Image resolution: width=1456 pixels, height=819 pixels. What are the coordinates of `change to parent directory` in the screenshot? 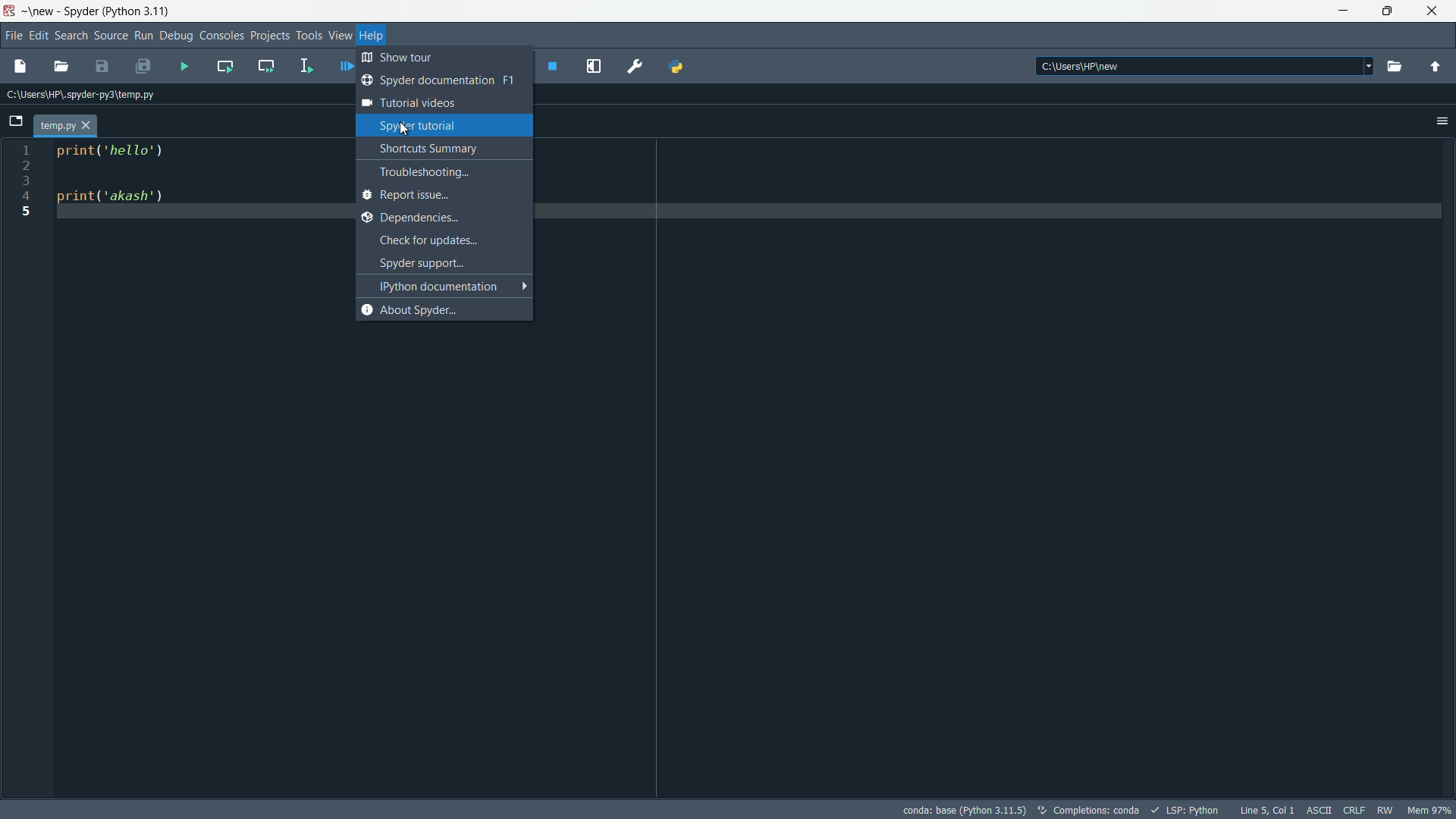 It's located at (1436, 66).